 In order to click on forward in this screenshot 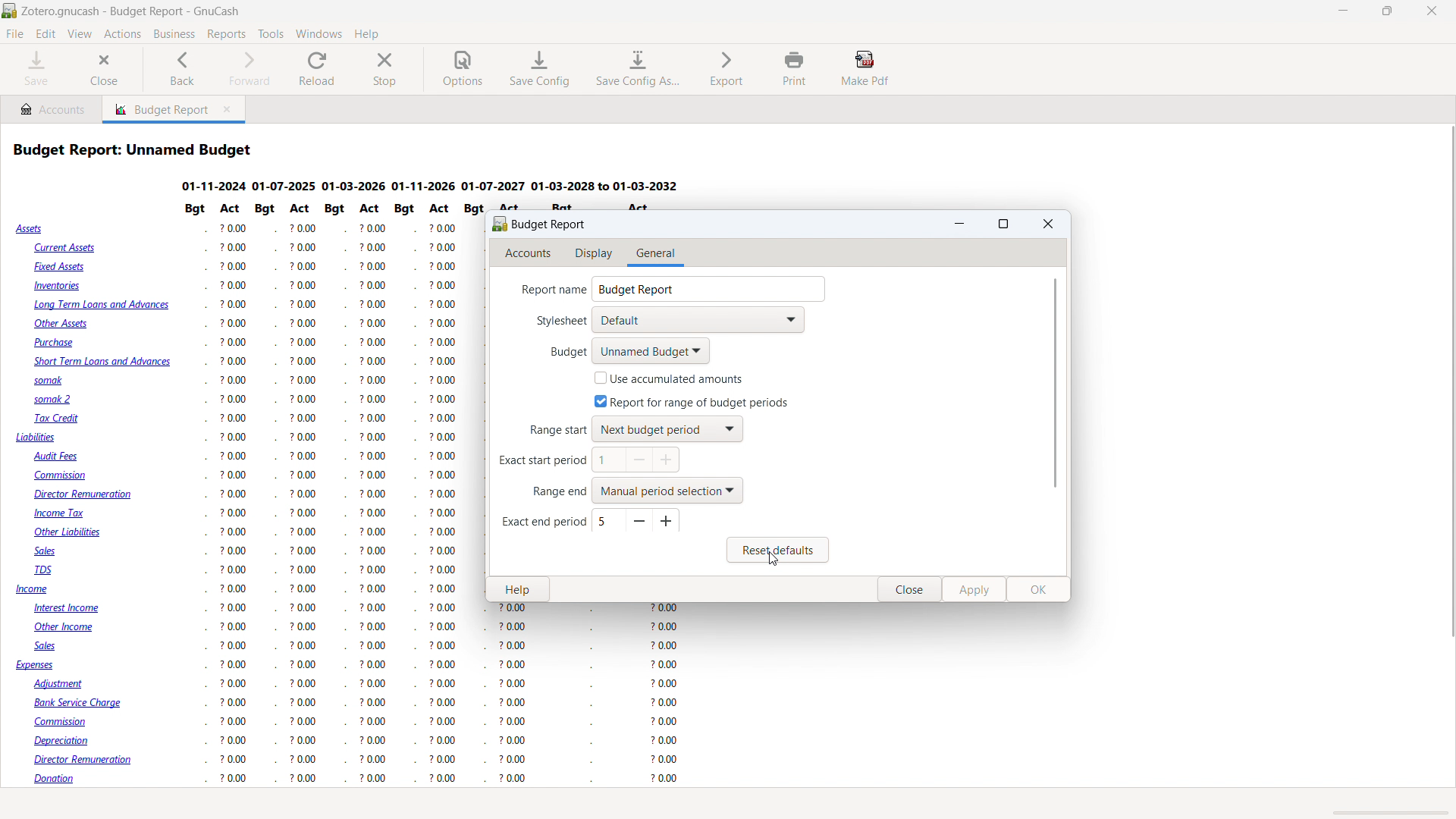, I will do `click(246, 69)`.